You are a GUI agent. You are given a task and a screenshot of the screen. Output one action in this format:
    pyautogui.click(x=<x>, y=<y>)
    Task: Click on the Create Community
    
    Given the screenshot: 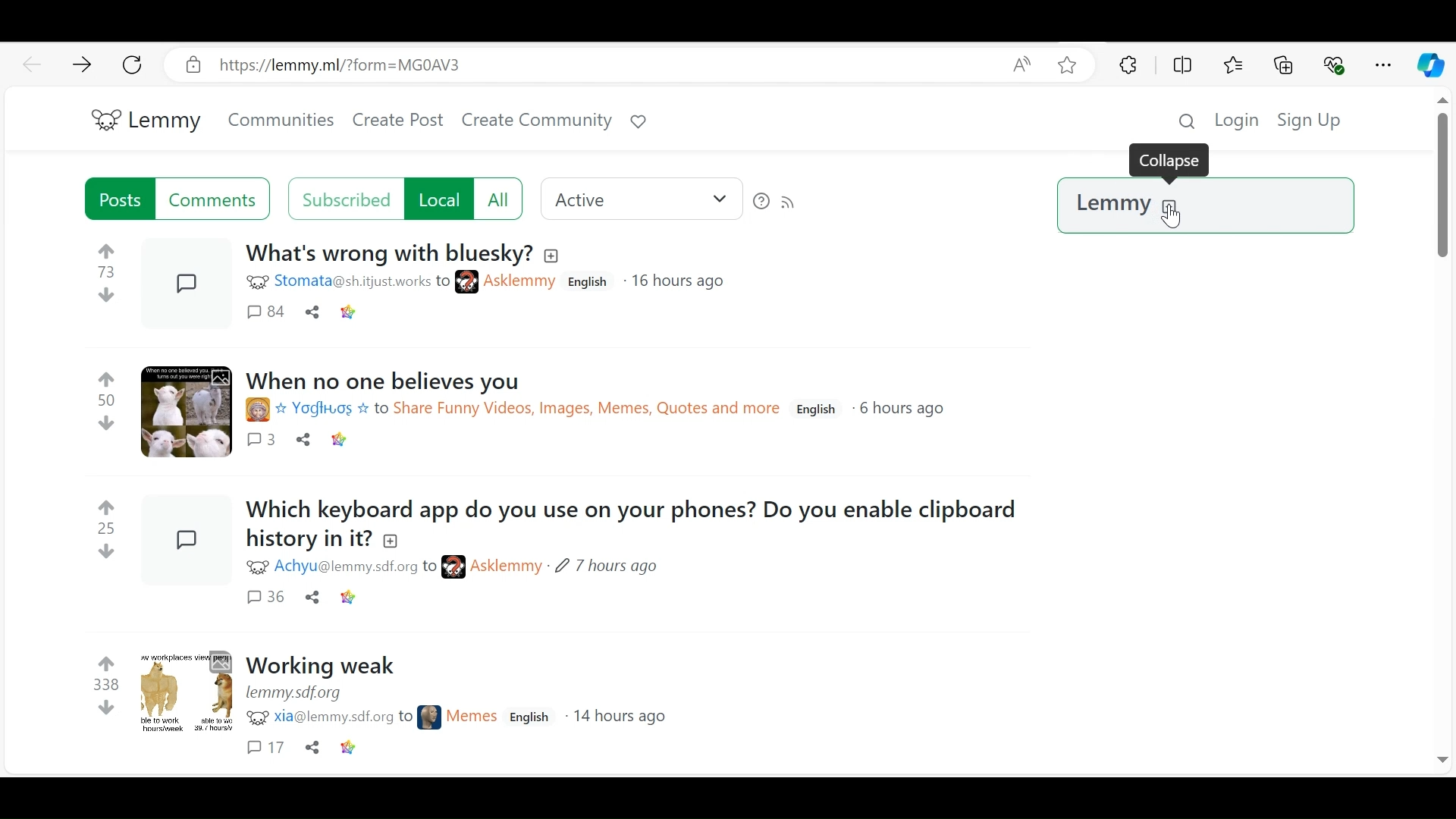 What is the action you would take?
    pyautogui.click(x=535, y=124)
    